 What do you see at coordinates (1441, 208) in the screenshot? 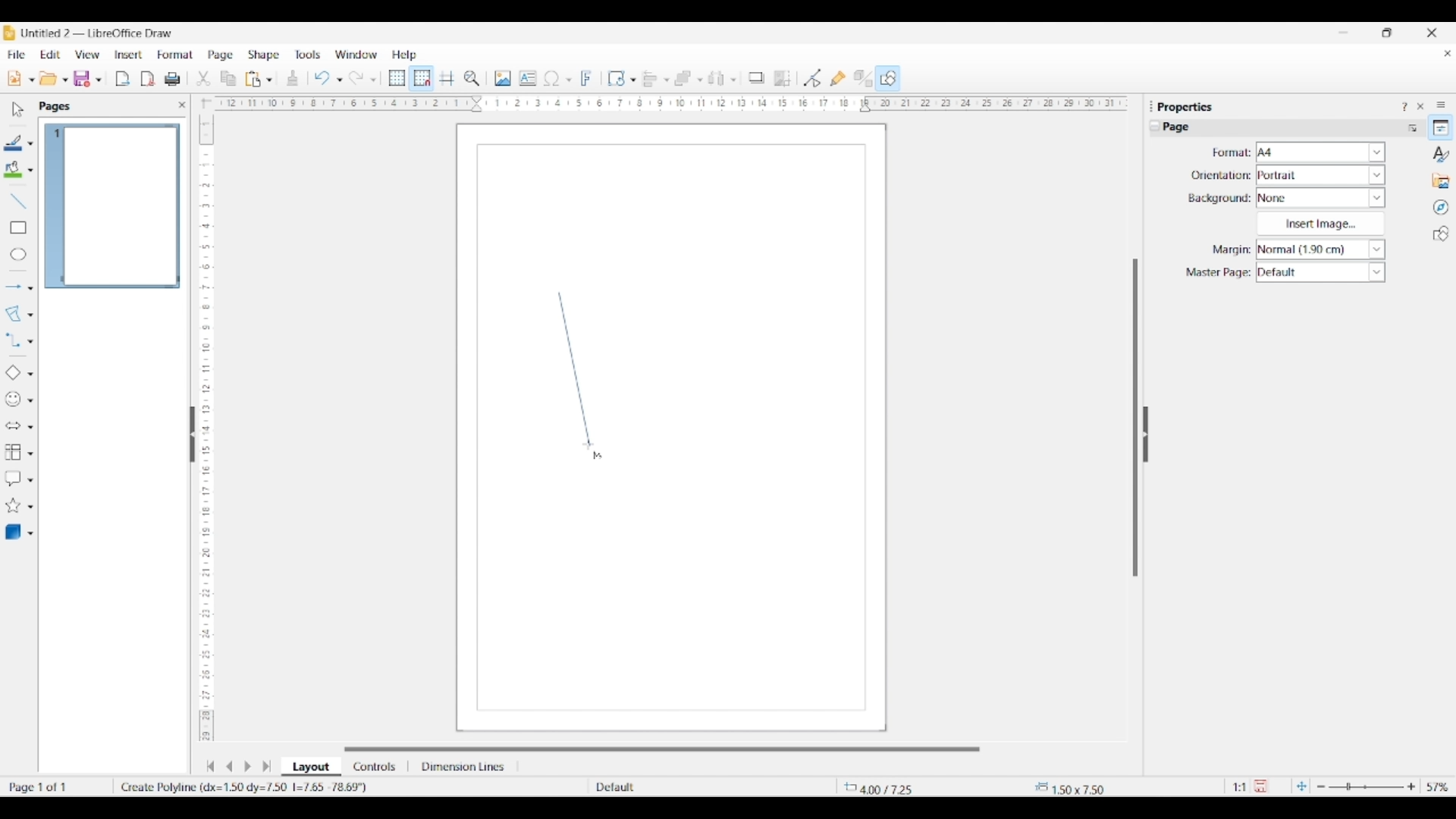
I see `Navigator` at bounding box center [1441, 208].